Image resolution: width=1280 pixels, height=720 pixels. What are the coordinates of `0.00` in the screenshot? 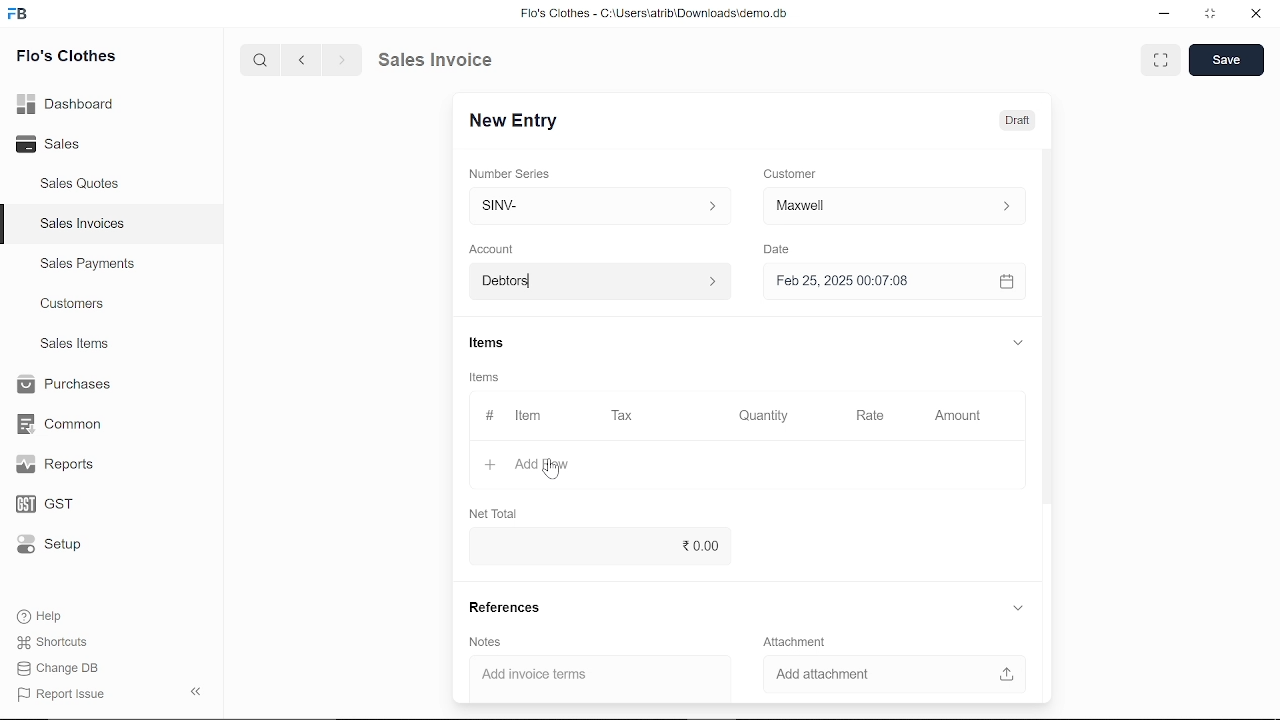 It's located at (639, 547).